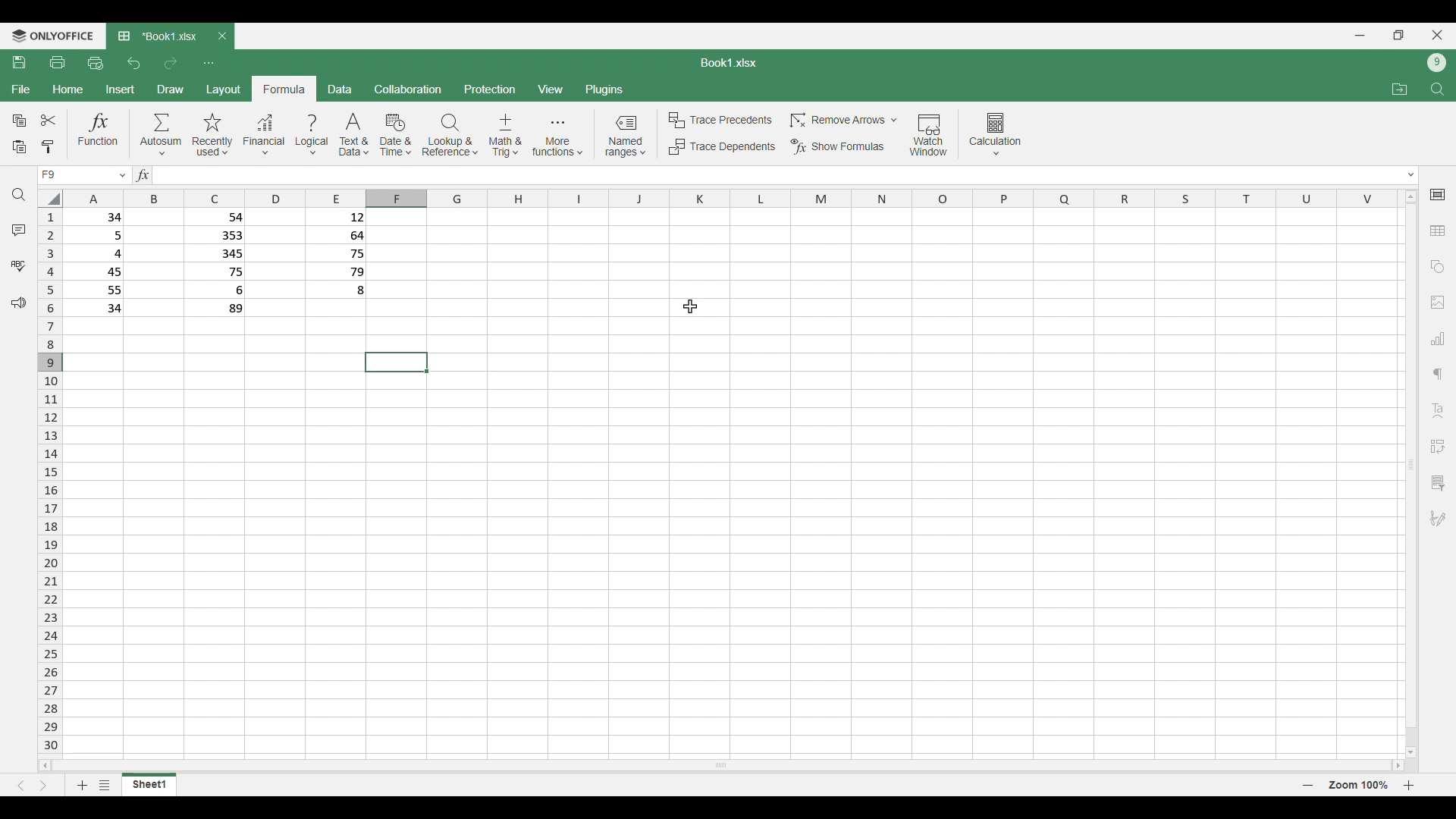 The height and width of the screenshot is (819, 1456). What do you see at coordinates (52, 36) in the screenshot?
I see `Software logo and name` at bounding box center [52, 36].